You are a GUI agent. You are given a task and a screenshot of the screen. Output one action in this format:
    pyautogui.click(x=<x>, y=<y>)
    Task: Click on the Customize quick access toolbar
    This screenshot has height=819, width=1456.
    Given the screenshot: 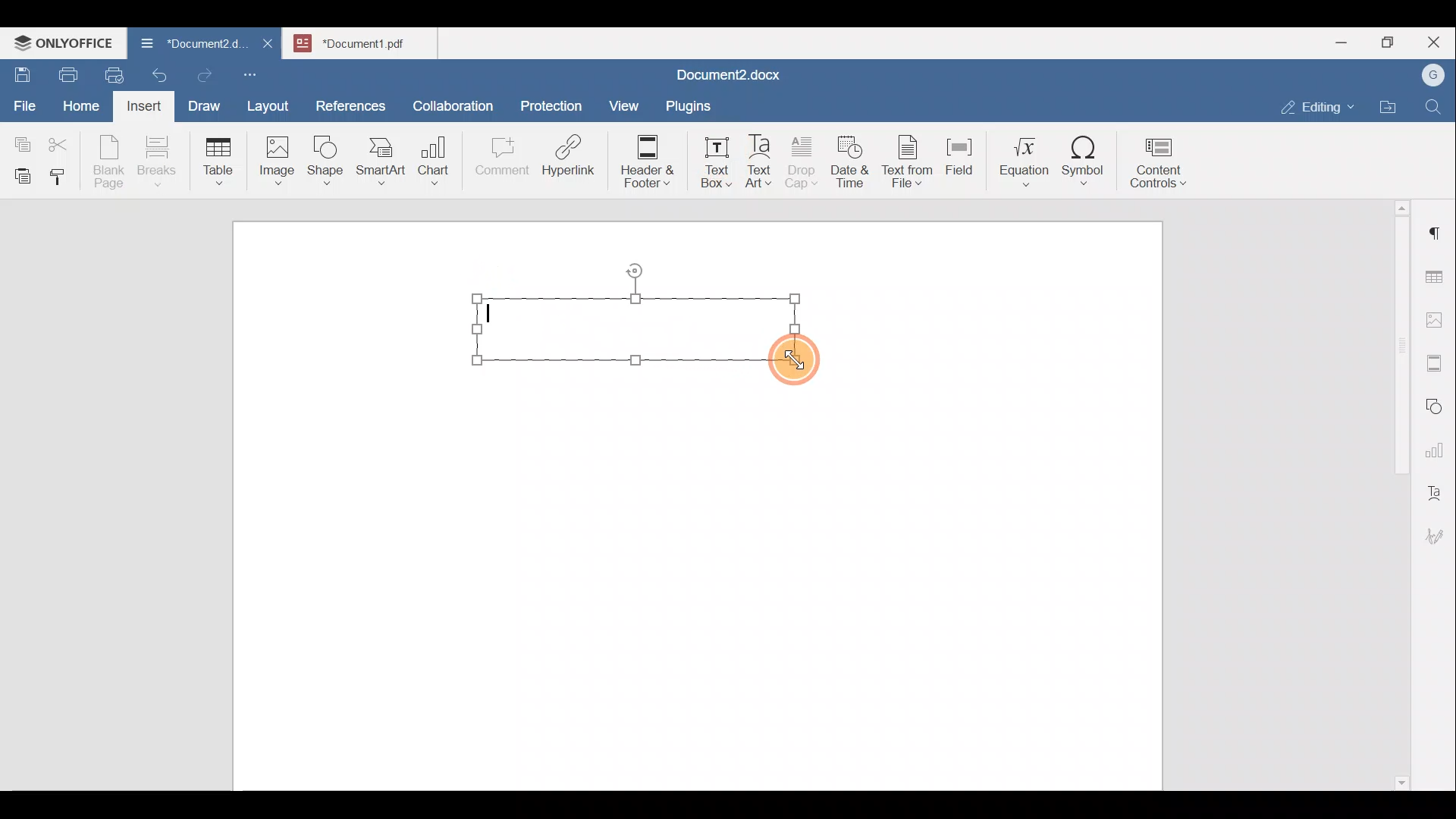 What is the action you would take?
    pyautogui.click(x=256, y=72)
    